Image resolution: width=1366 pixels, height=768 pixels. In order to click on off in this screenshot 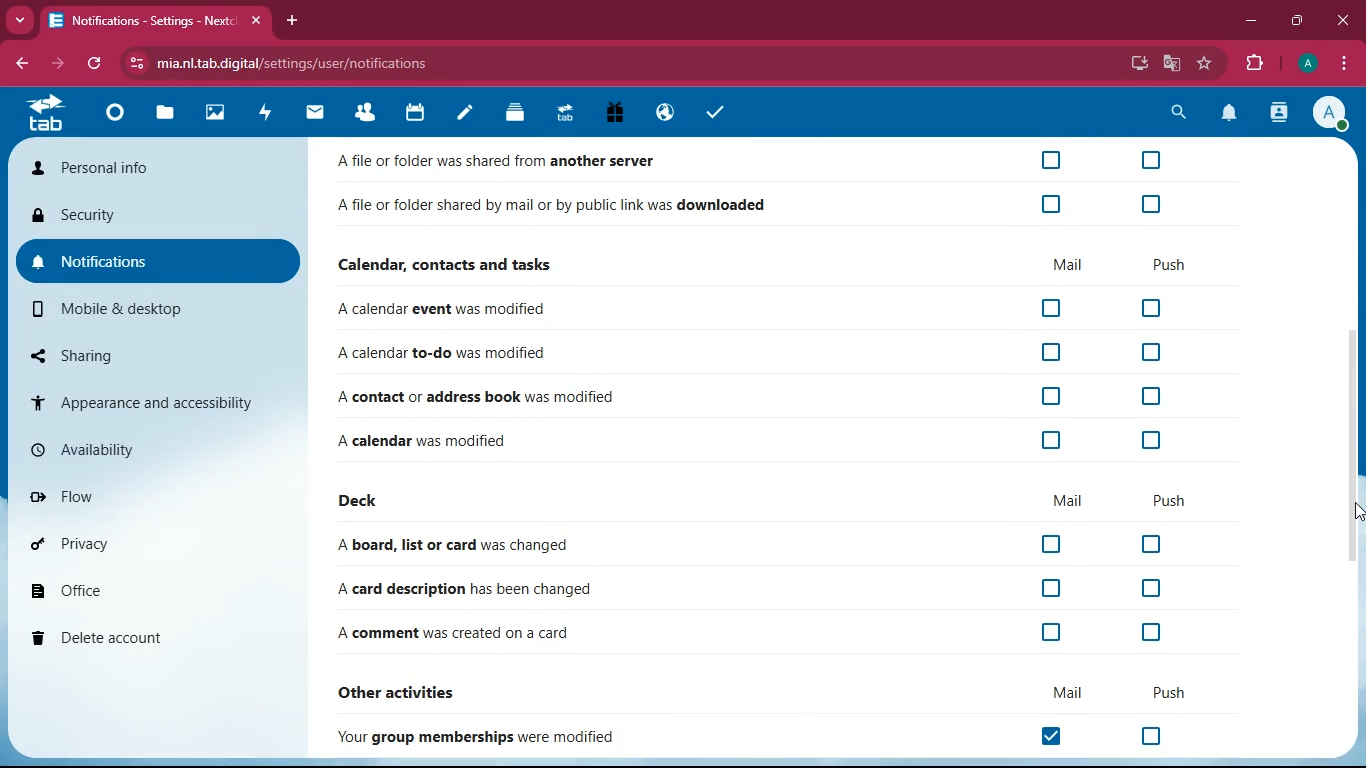, I will do `click(1047, 396)`.